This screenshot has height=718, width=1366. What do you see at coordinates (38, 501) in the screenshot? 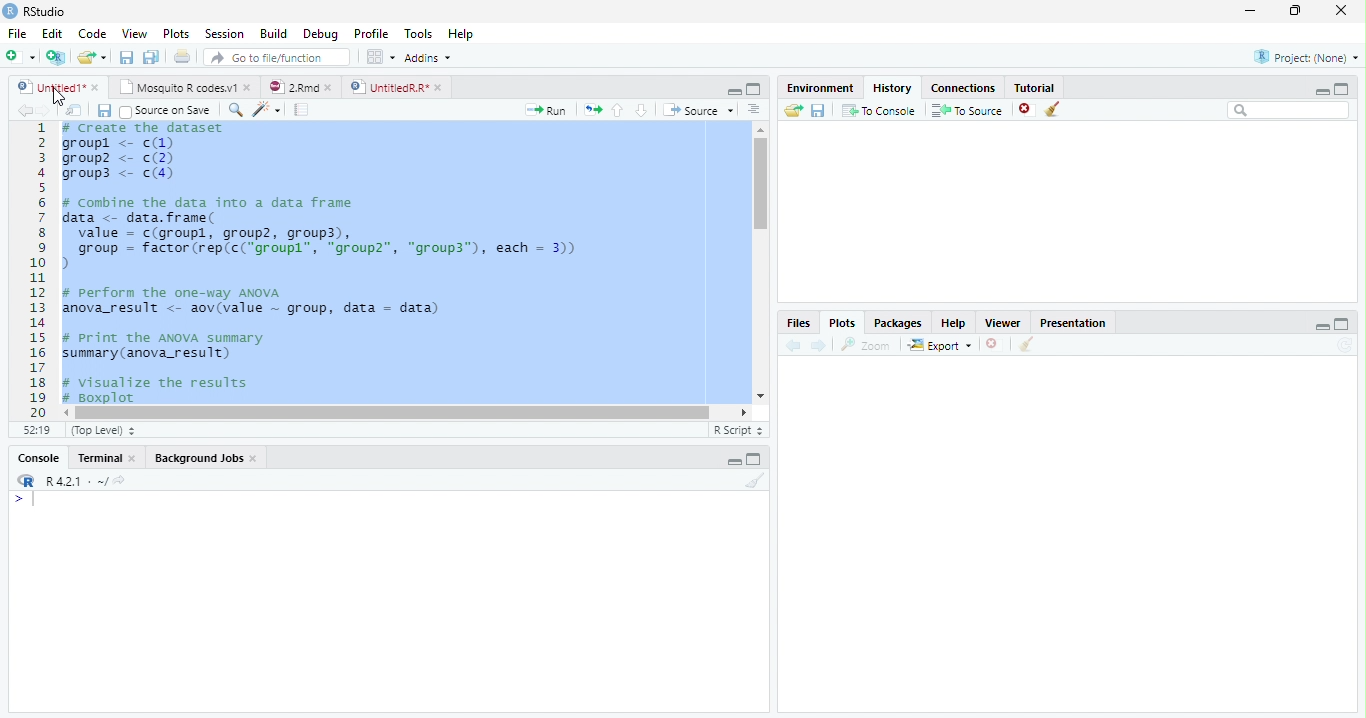
I see `Cursor` at bounding box center [38, 501].